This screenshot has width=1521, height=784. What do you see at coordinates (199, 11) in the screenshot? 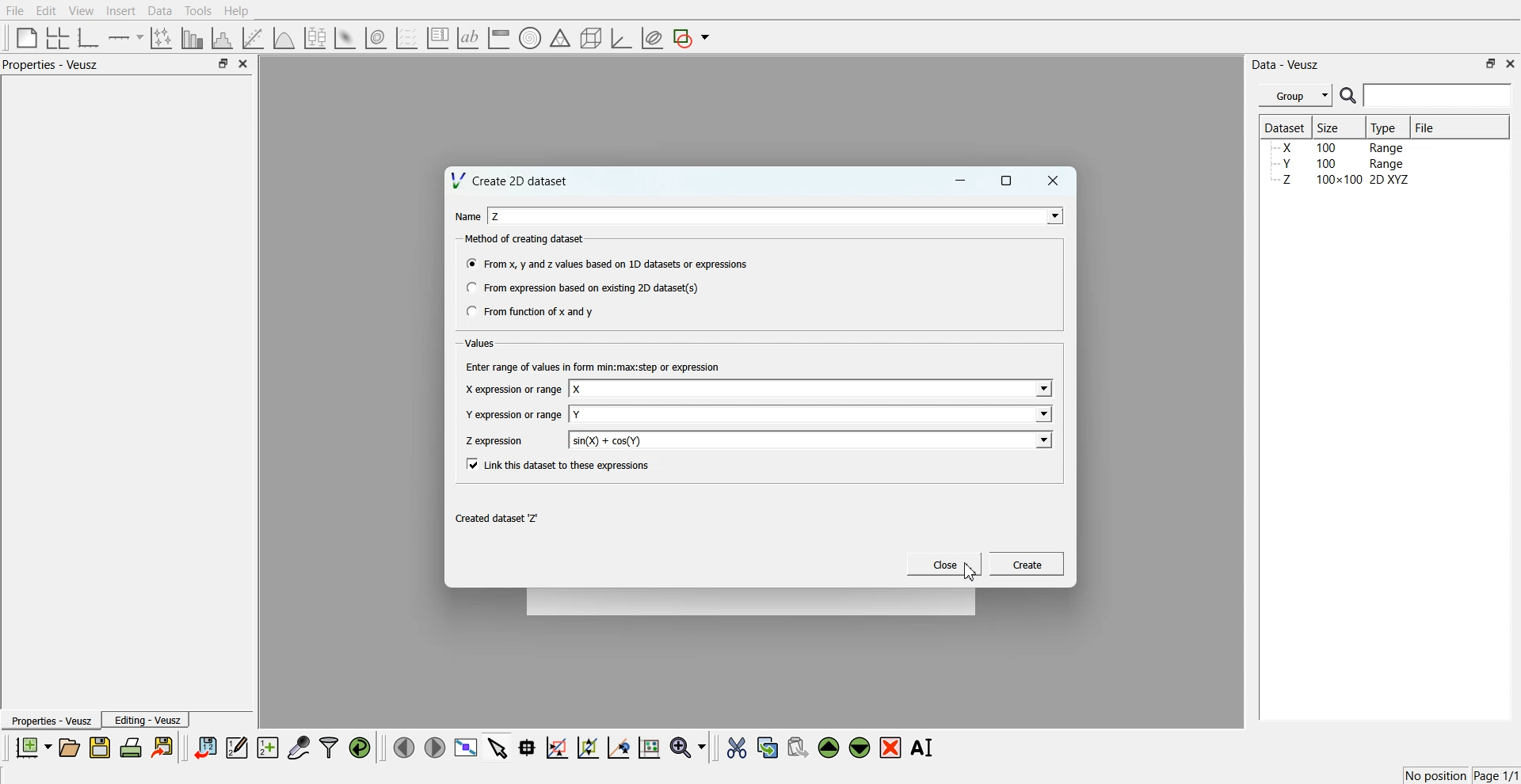
I see `Tools` at bounding box center [199, 11].